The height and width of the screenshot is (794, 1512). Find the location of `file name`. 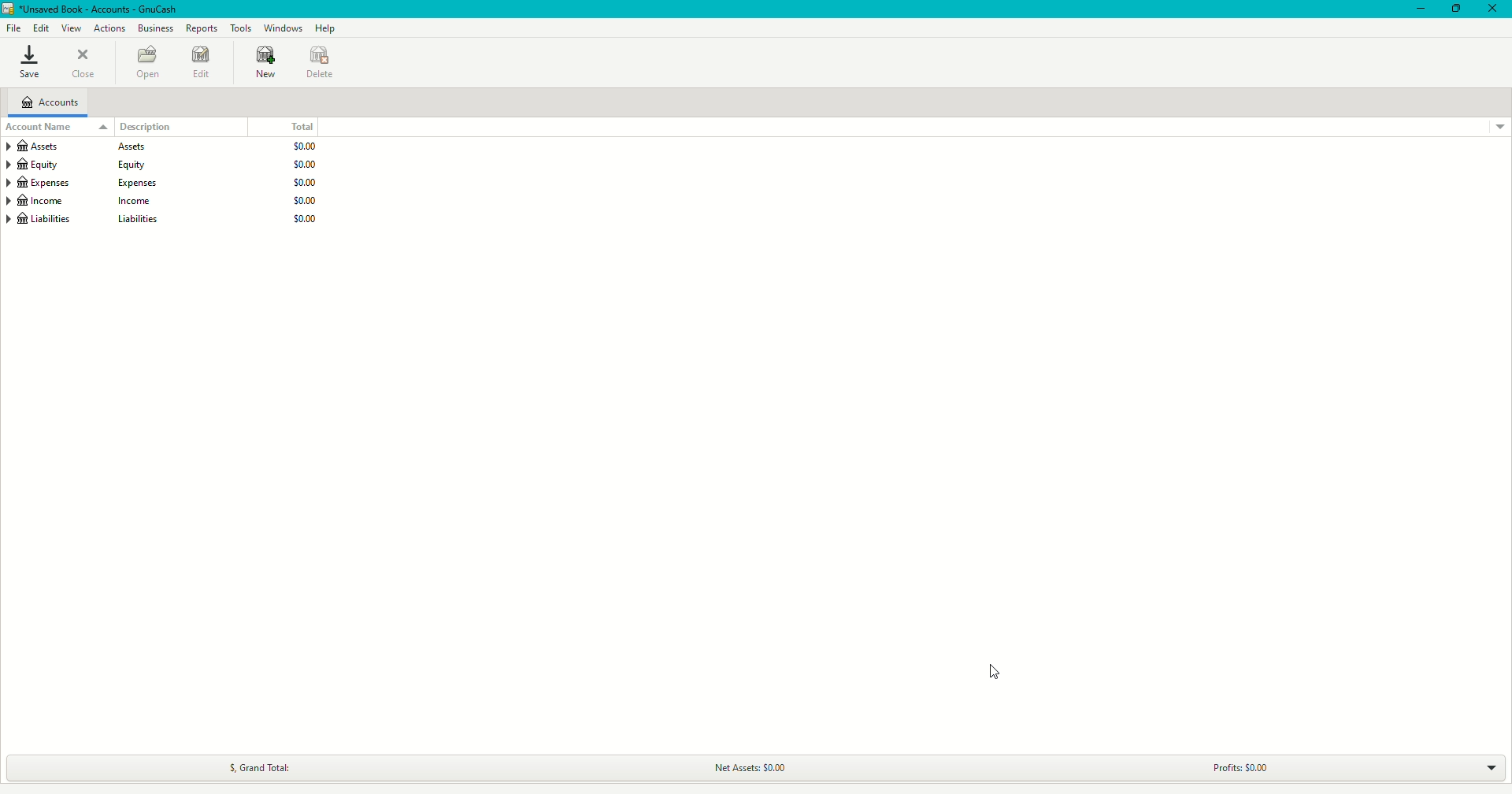

file name is located at coordinates (102, 9).